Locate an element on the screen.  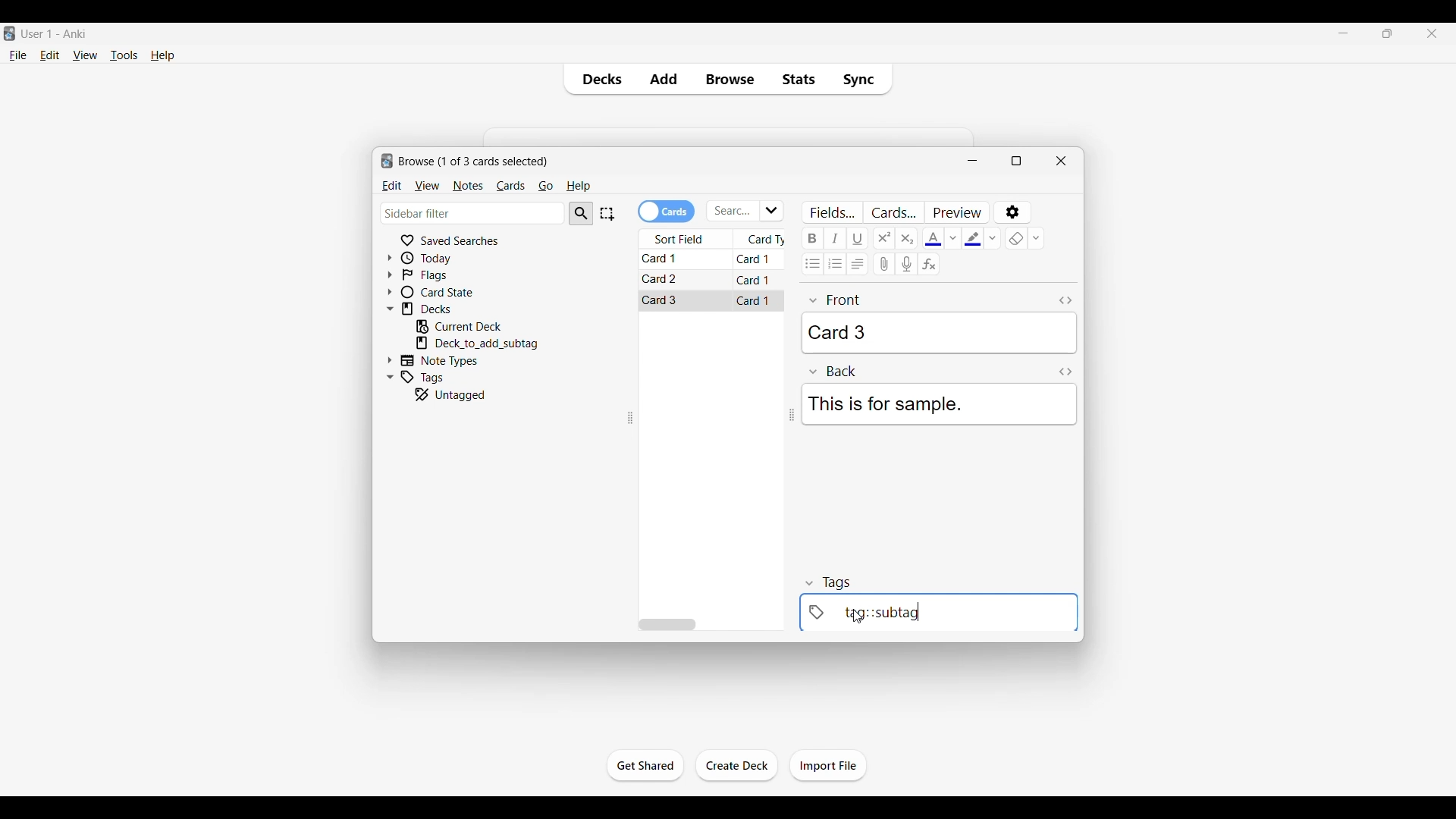
Click to collapse Tags is located at coordinates (390, 377).